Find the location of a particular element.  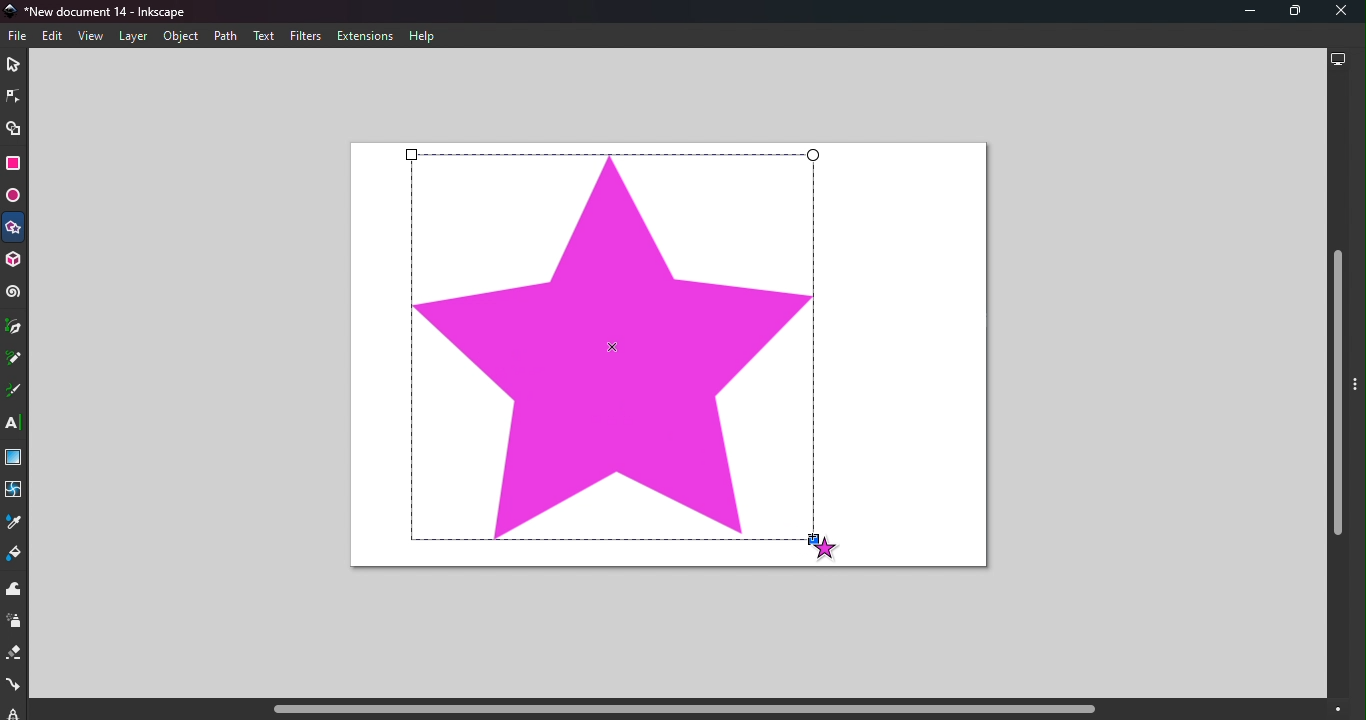

Edit is located at coordinates (52, 37).